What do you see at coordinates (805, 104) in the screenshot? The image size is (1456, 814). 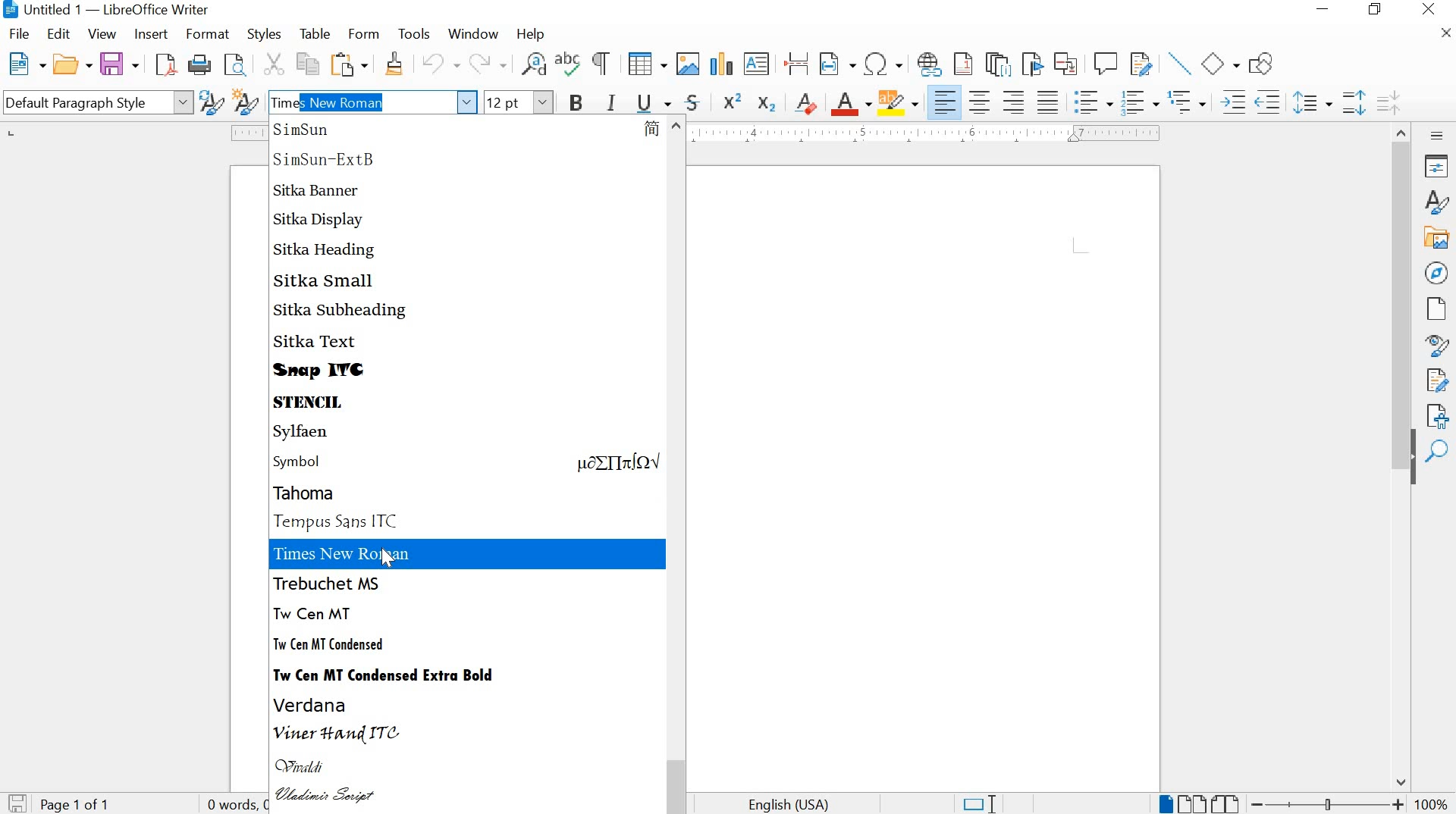 I see `CLEAR DIRECT FORMATTING` at bounding box center [805, 104].